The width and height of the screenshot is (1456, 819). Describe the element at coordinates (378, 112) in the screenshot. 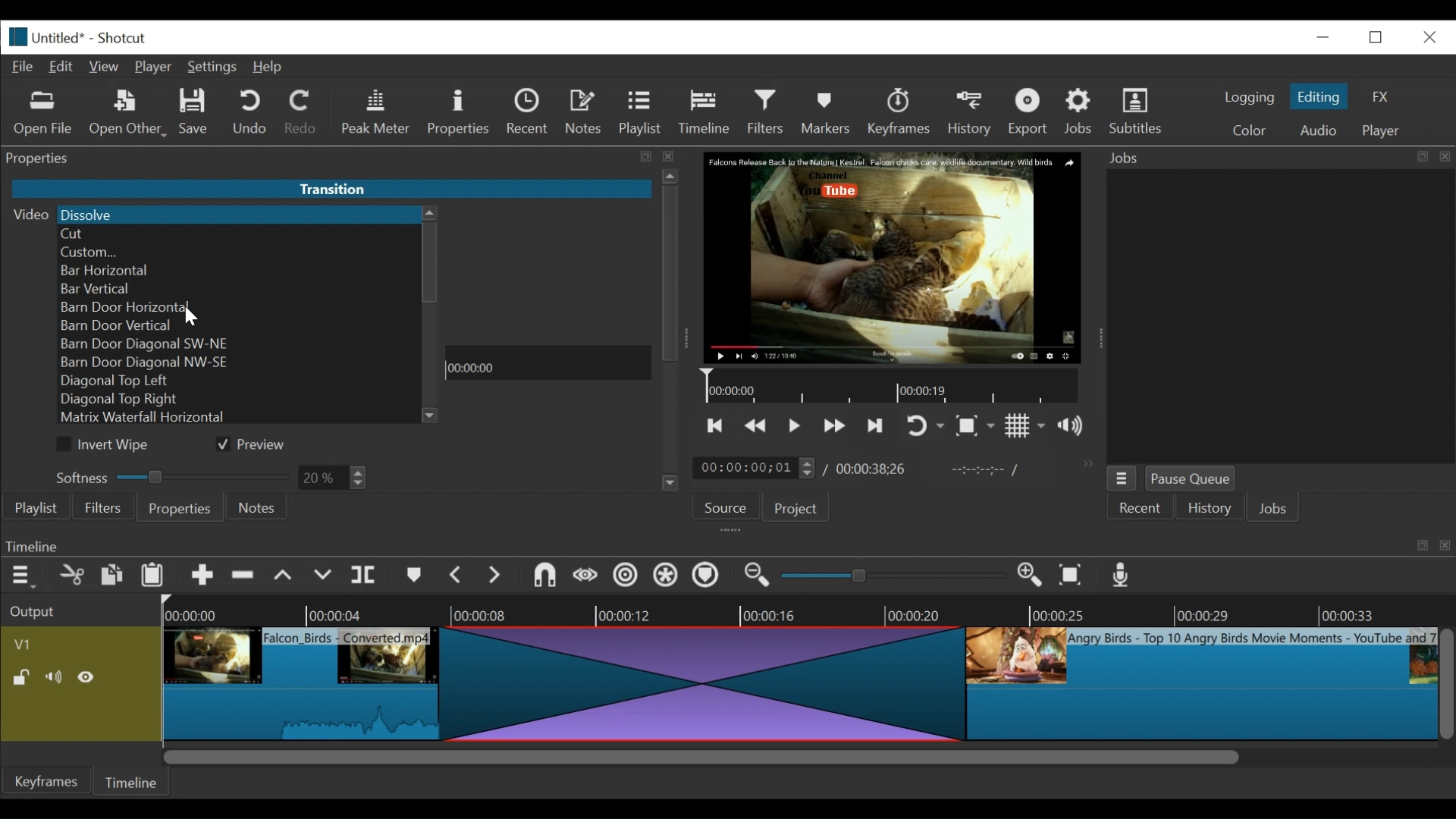

I see `Peak Meter` at that location.